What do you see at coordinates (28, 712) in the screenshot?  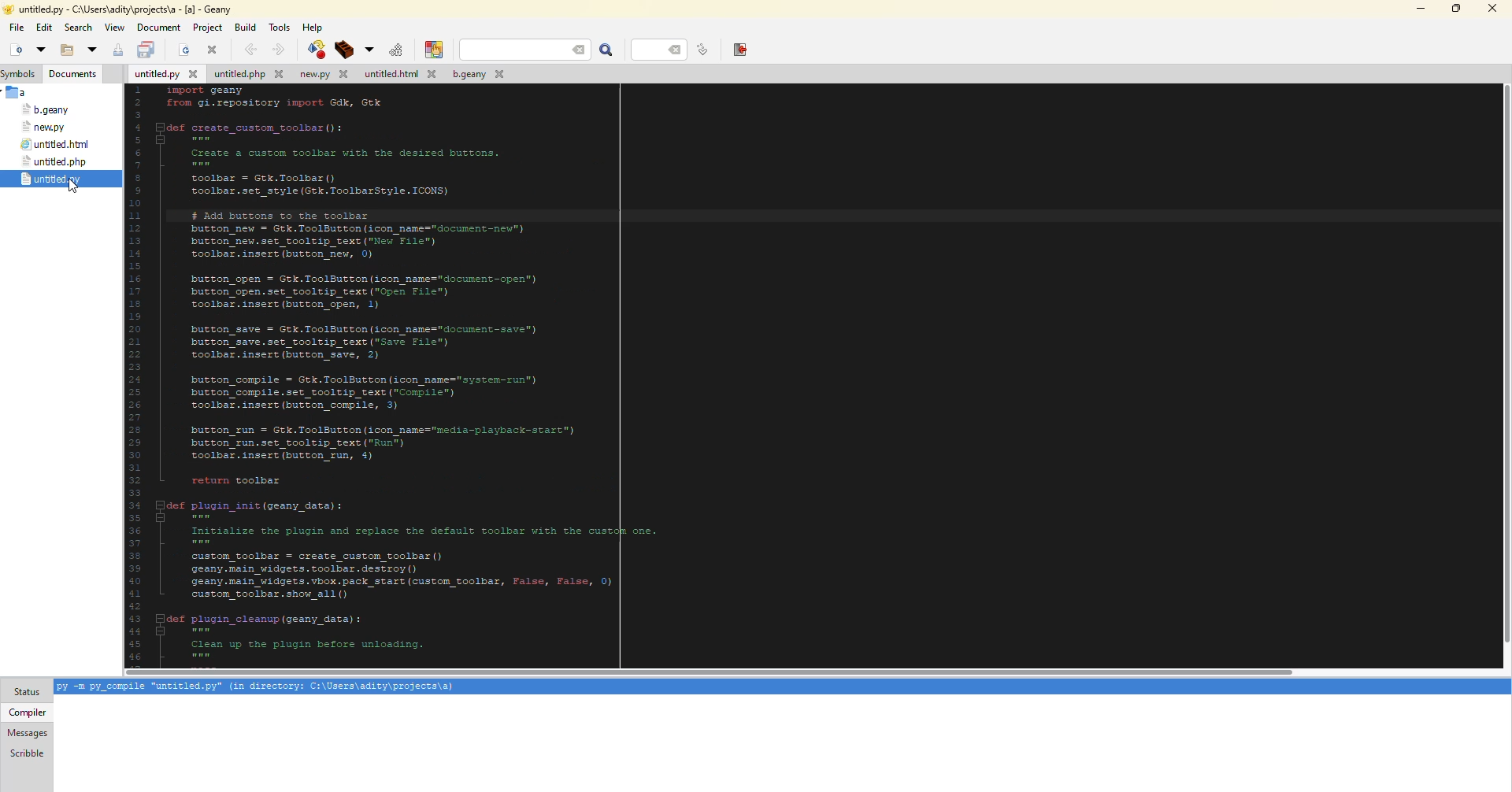 I see `compiler` at bounding box center [28, 712].